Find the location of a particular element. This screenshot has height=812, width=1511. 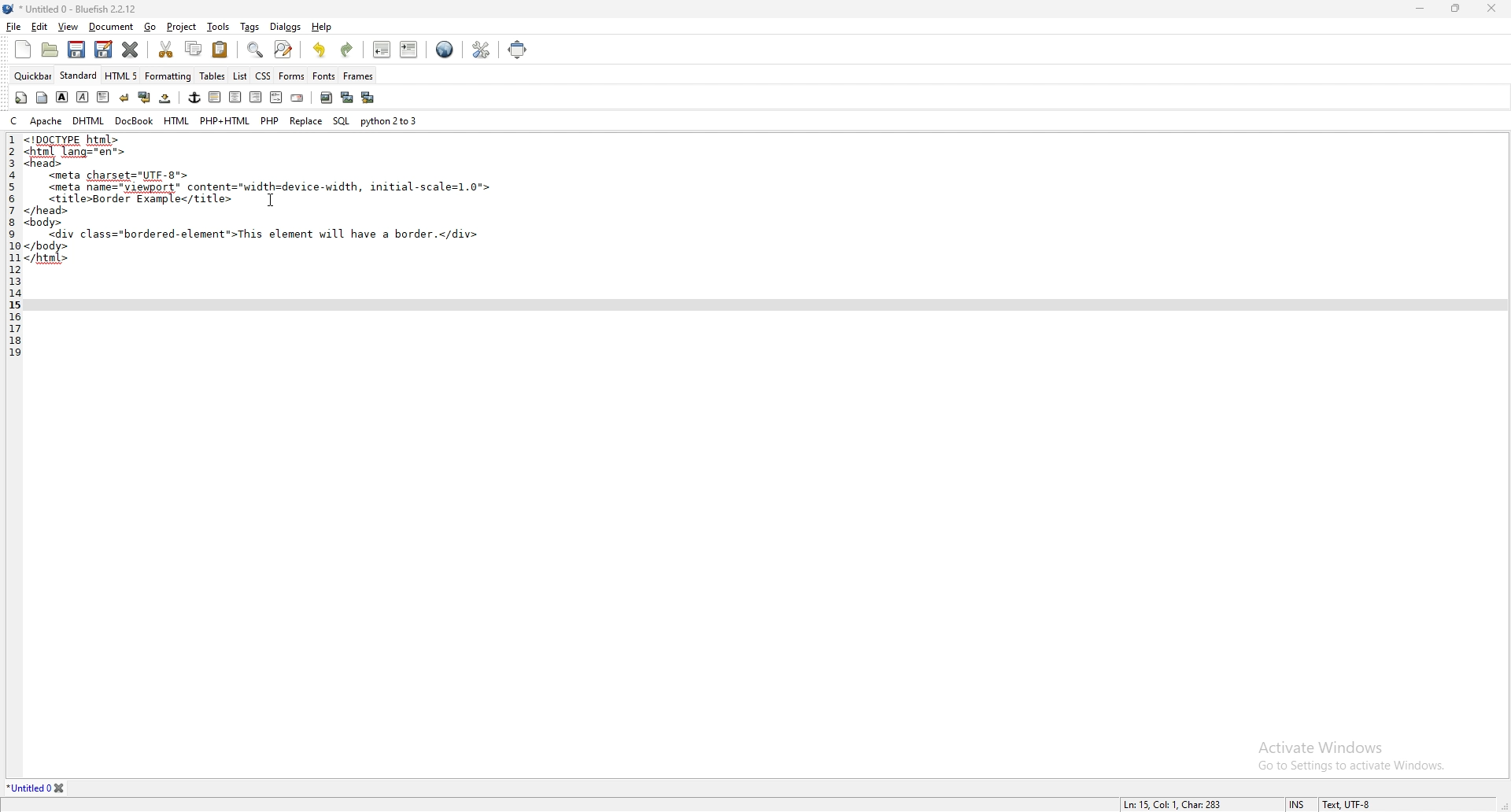

break is located at coordinates (124, 98).